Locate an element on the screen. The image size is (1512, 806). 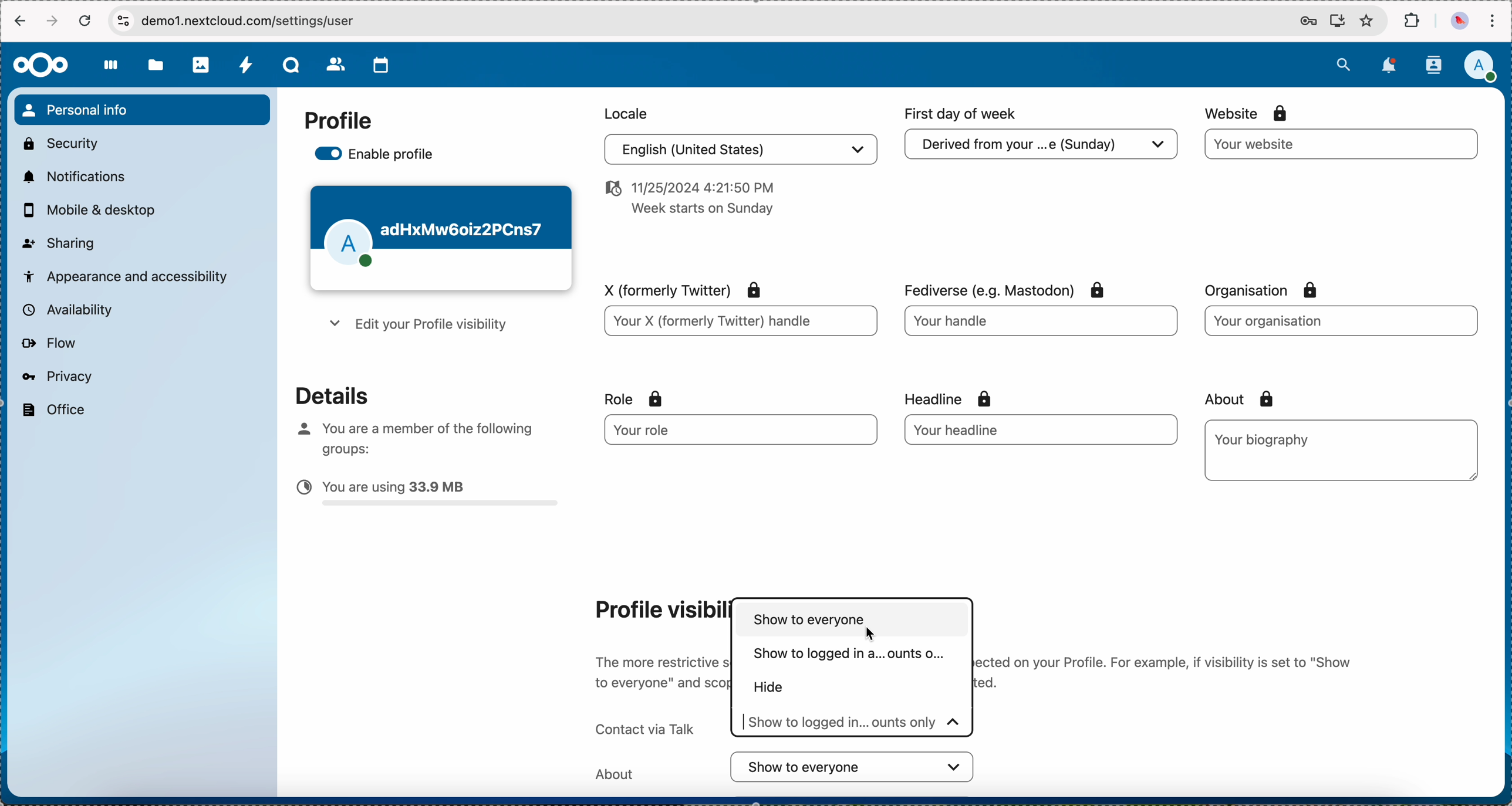
office is located at coordinates (52, 410).